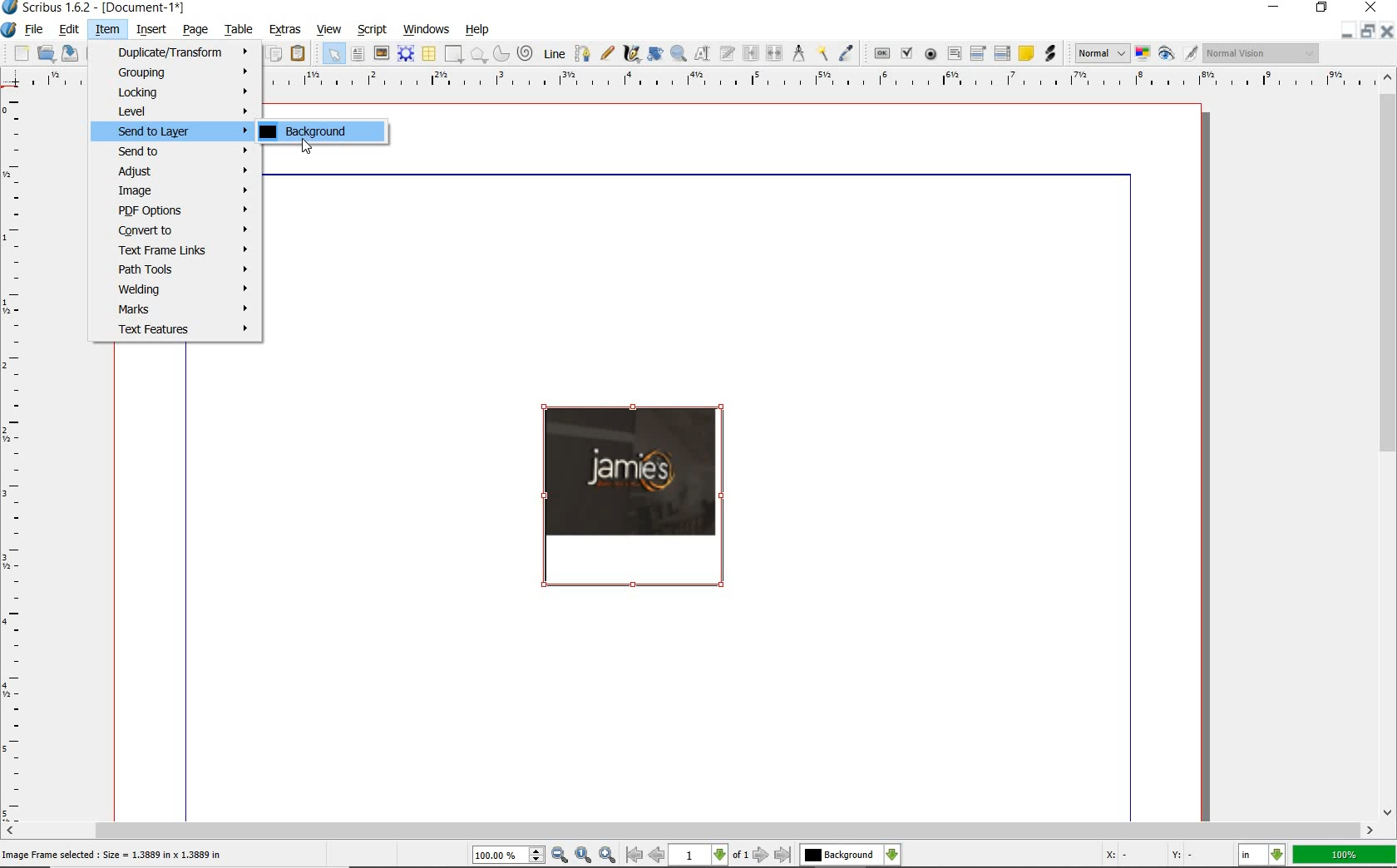 The image size is (1397, 868). I want to click on pdf combo box, so click(979, 53).